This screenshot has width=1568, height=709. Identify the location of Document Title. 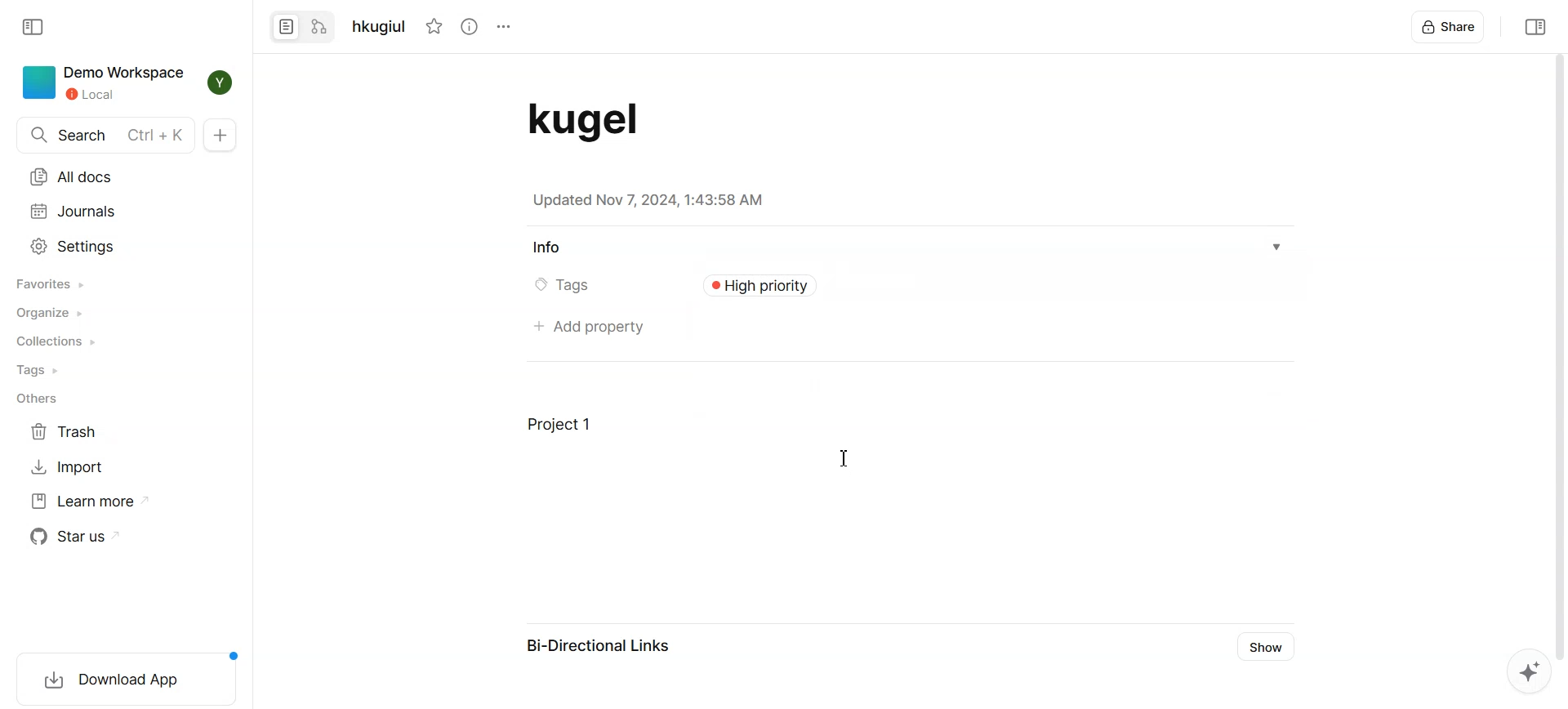
(608, 120).